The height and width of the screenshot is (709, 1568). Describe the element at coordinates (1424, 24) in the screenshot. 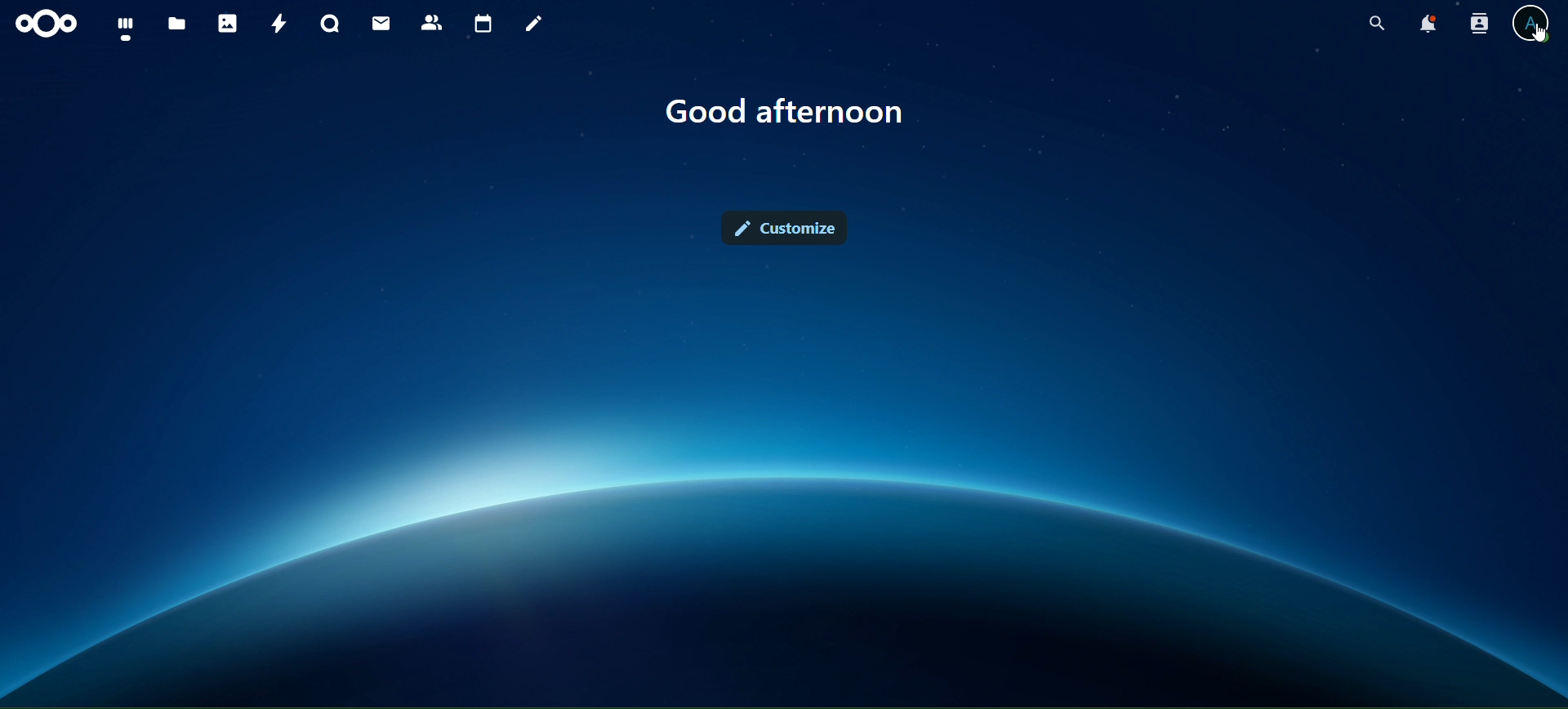

I see `notifications` at that location.